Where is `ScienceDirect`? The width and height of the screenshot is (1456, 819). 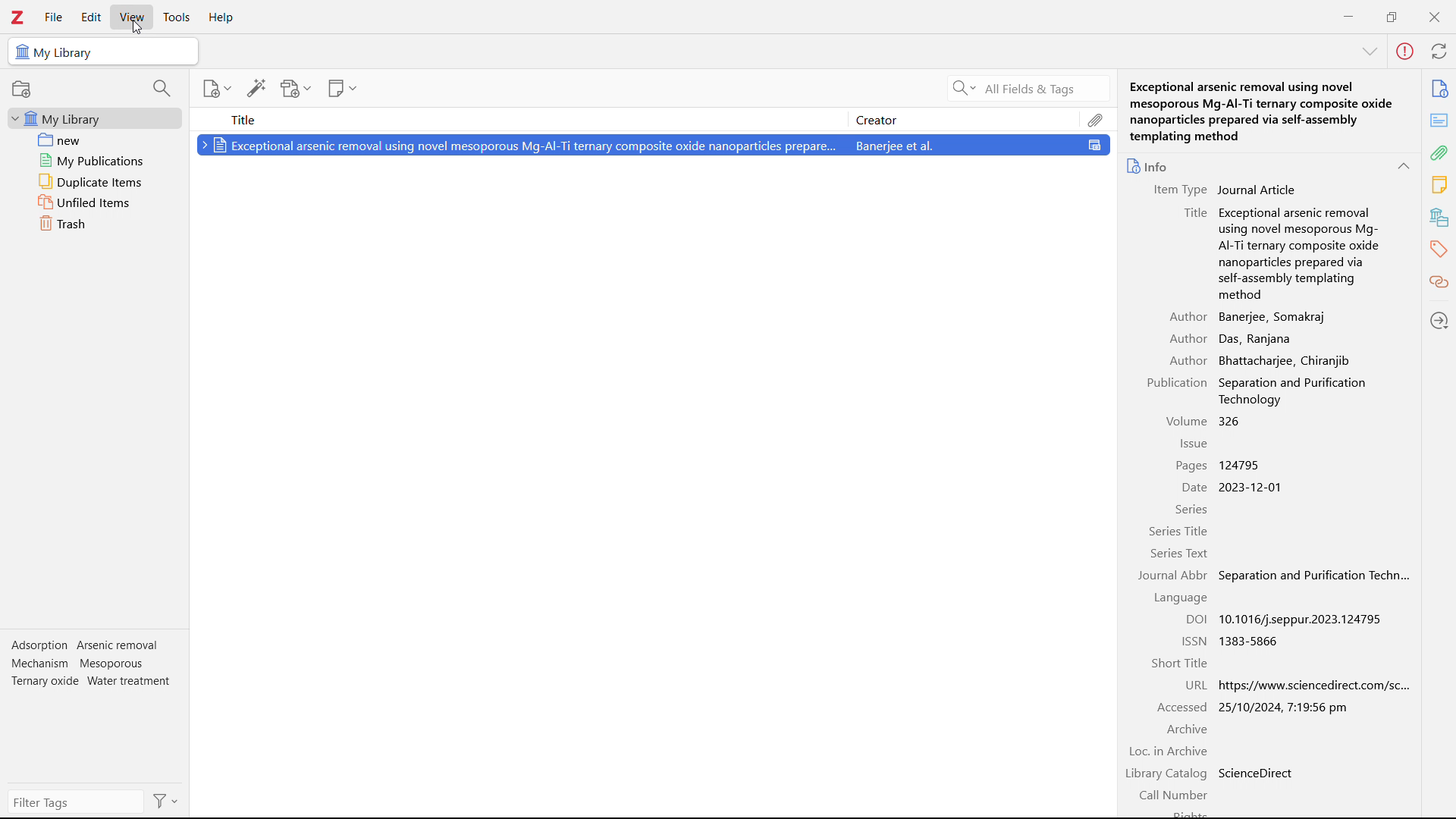 ScienceDirect is located at coordinates (1256, 772).